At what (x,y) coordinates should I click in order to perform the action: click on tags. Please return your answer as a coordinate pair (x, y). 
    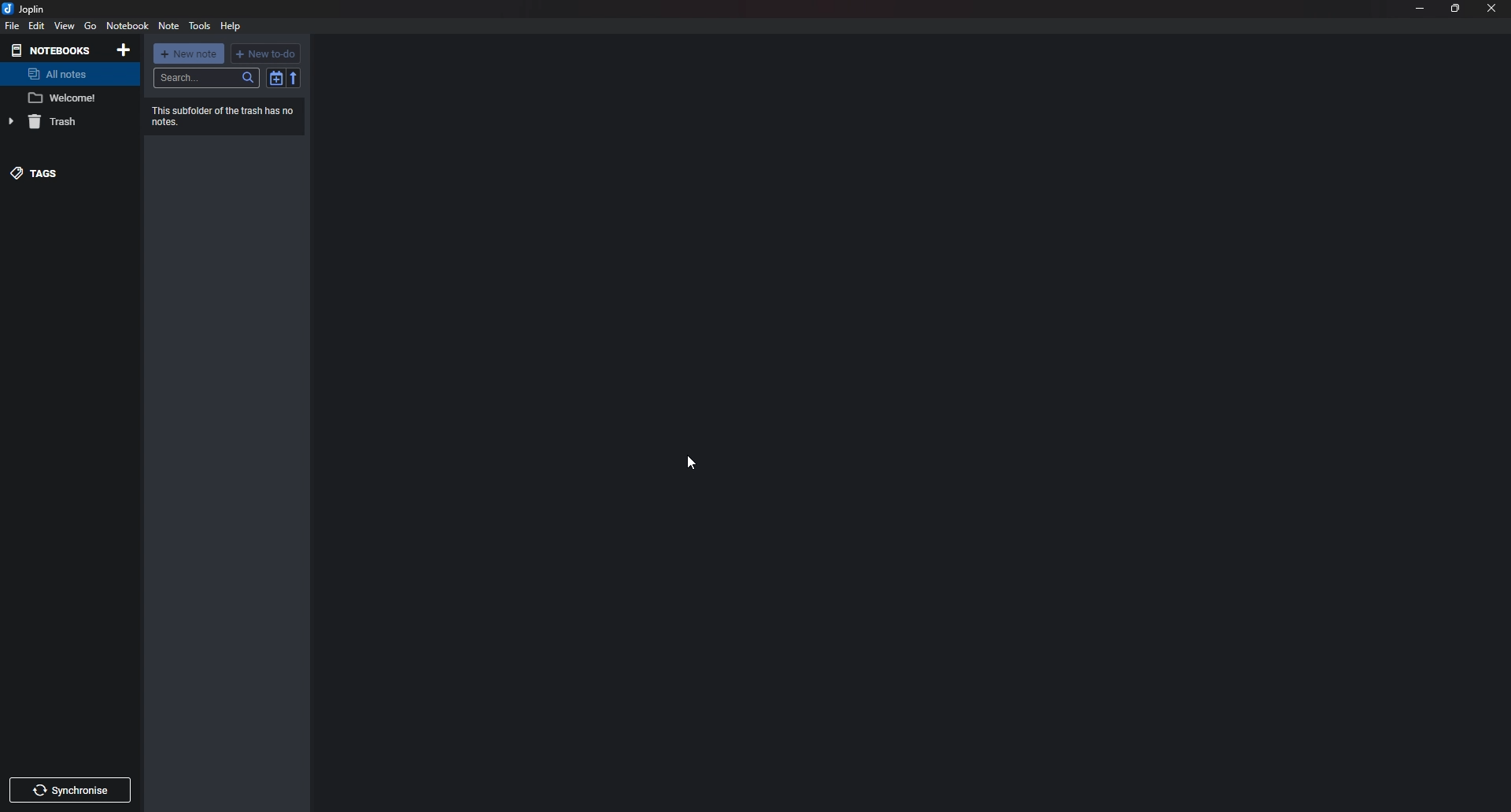
    Looking at the image, I should click on (48, 172).